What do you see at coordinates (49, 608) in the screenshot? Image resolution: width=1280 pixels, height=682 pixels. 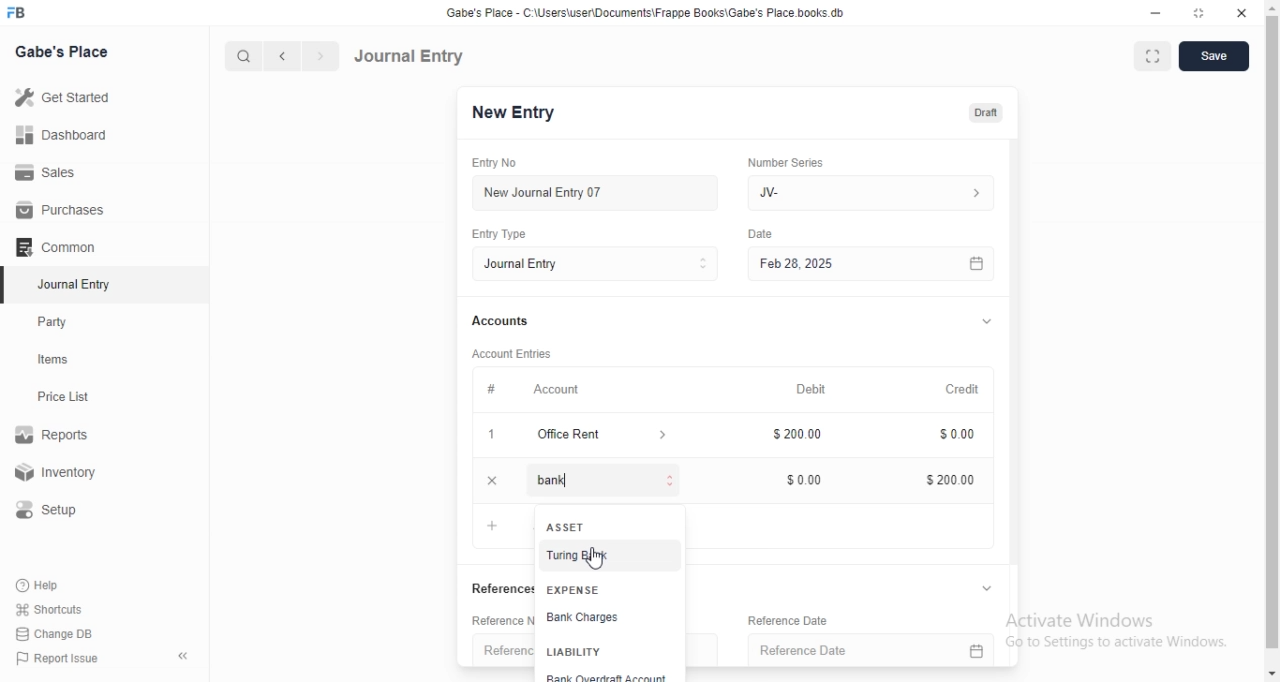 I see `Shortcuts` at bounding box center [49, 608].